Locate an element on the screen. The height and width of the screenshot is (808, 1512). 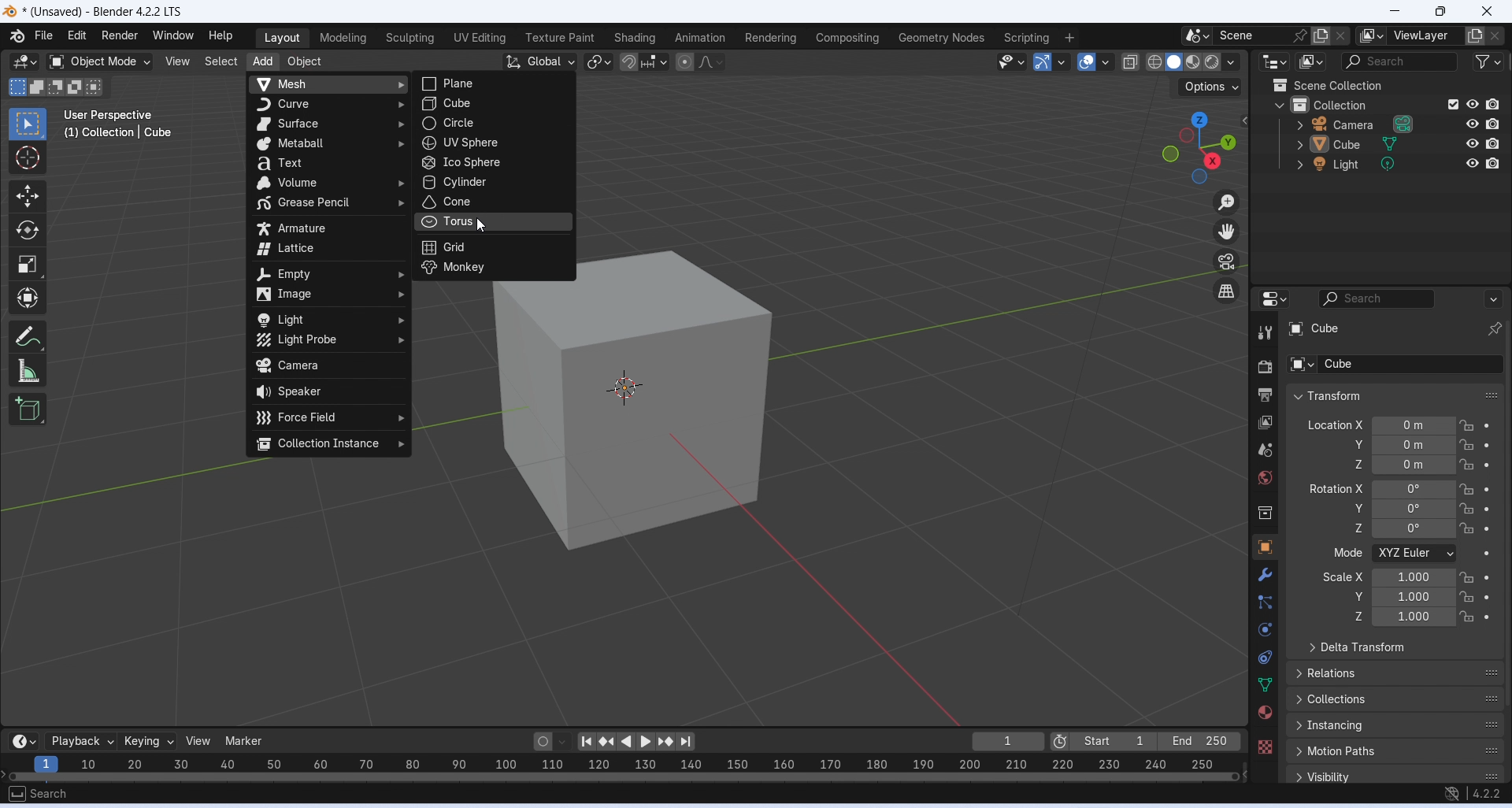
Window is located at coordinates (172, 35).